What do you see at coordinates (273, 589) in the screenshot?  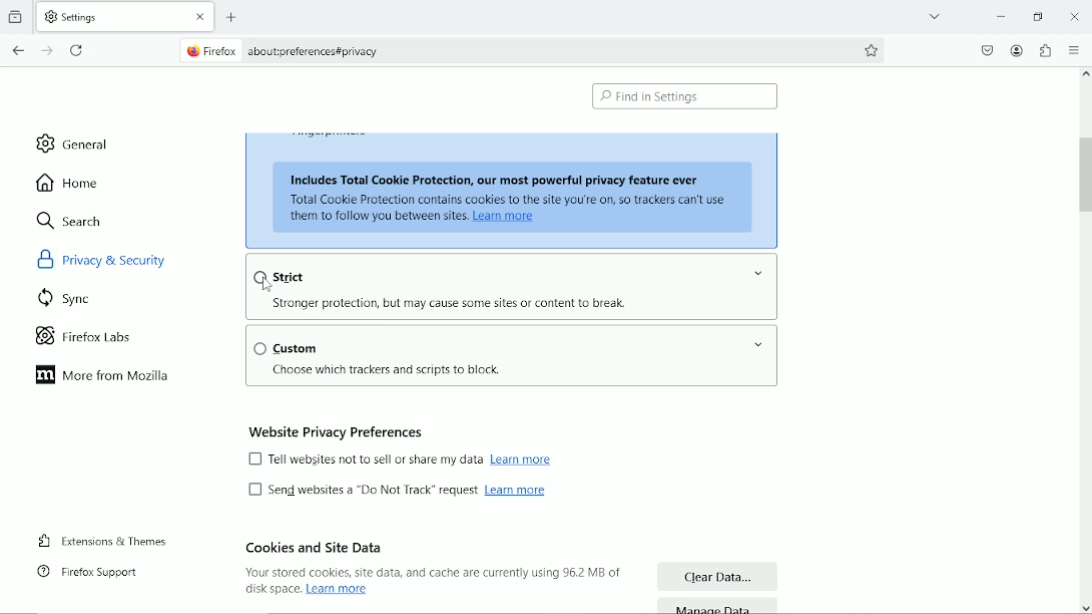 I see `text` at bounding box center [273, 589].